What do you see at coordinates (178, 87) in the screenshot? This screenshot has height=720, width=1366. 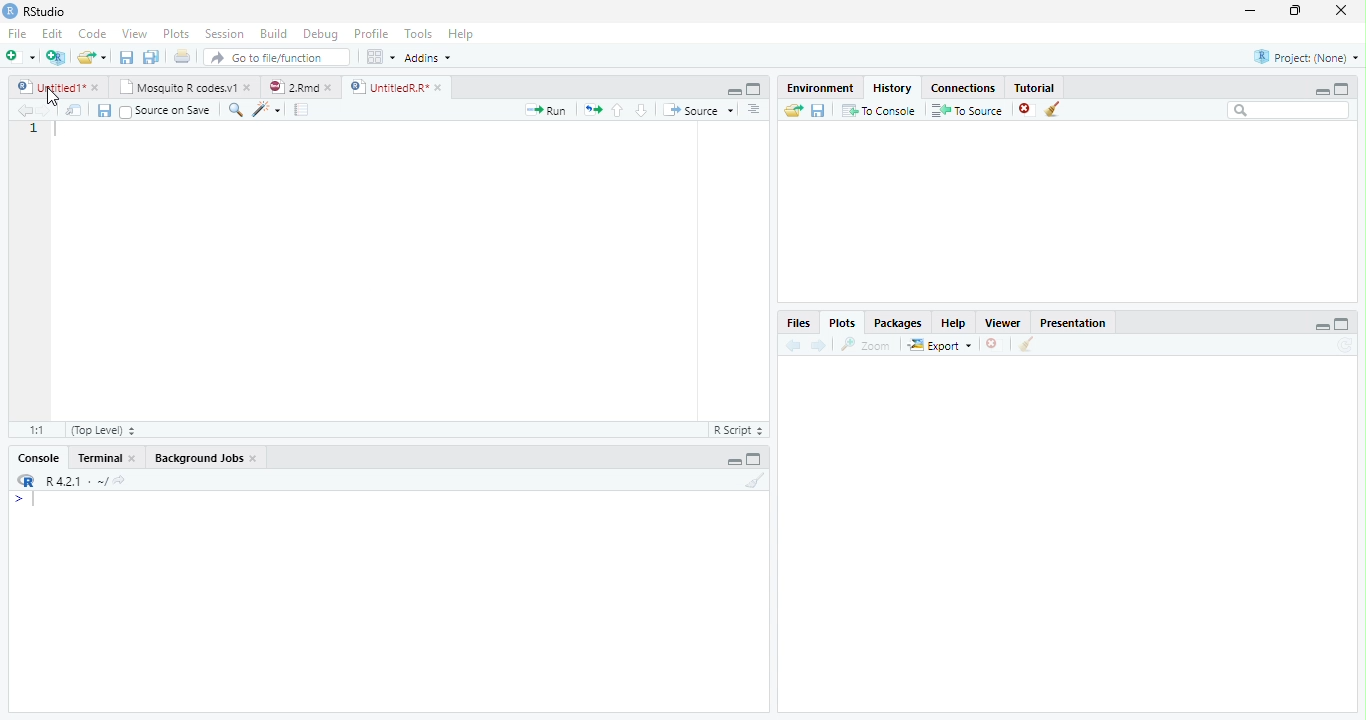 I see `‘Mosquito R codes.v1` at bounding box center [178, 87].